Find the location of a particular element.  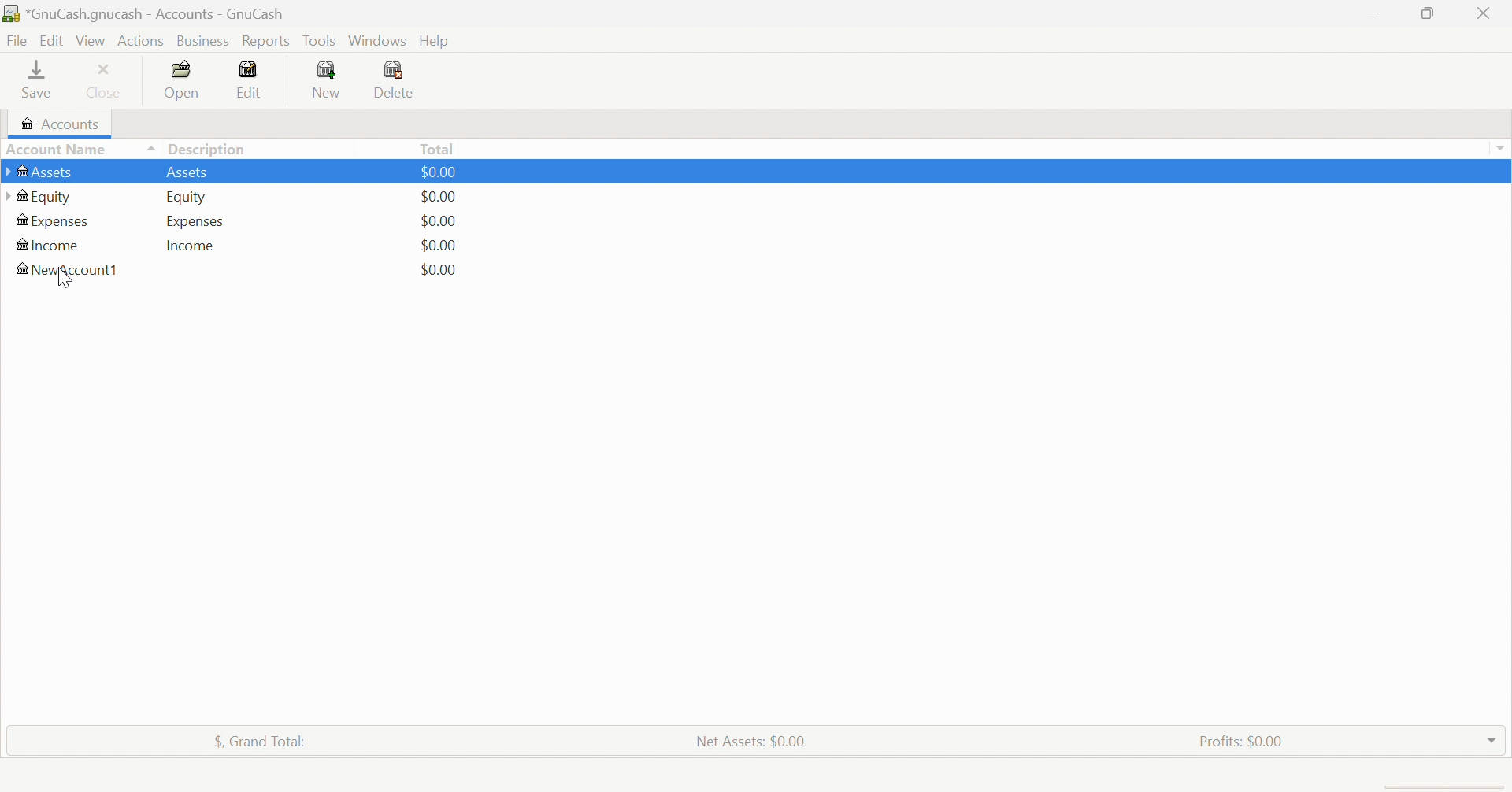

Reports is located at coordinates (267, 41).